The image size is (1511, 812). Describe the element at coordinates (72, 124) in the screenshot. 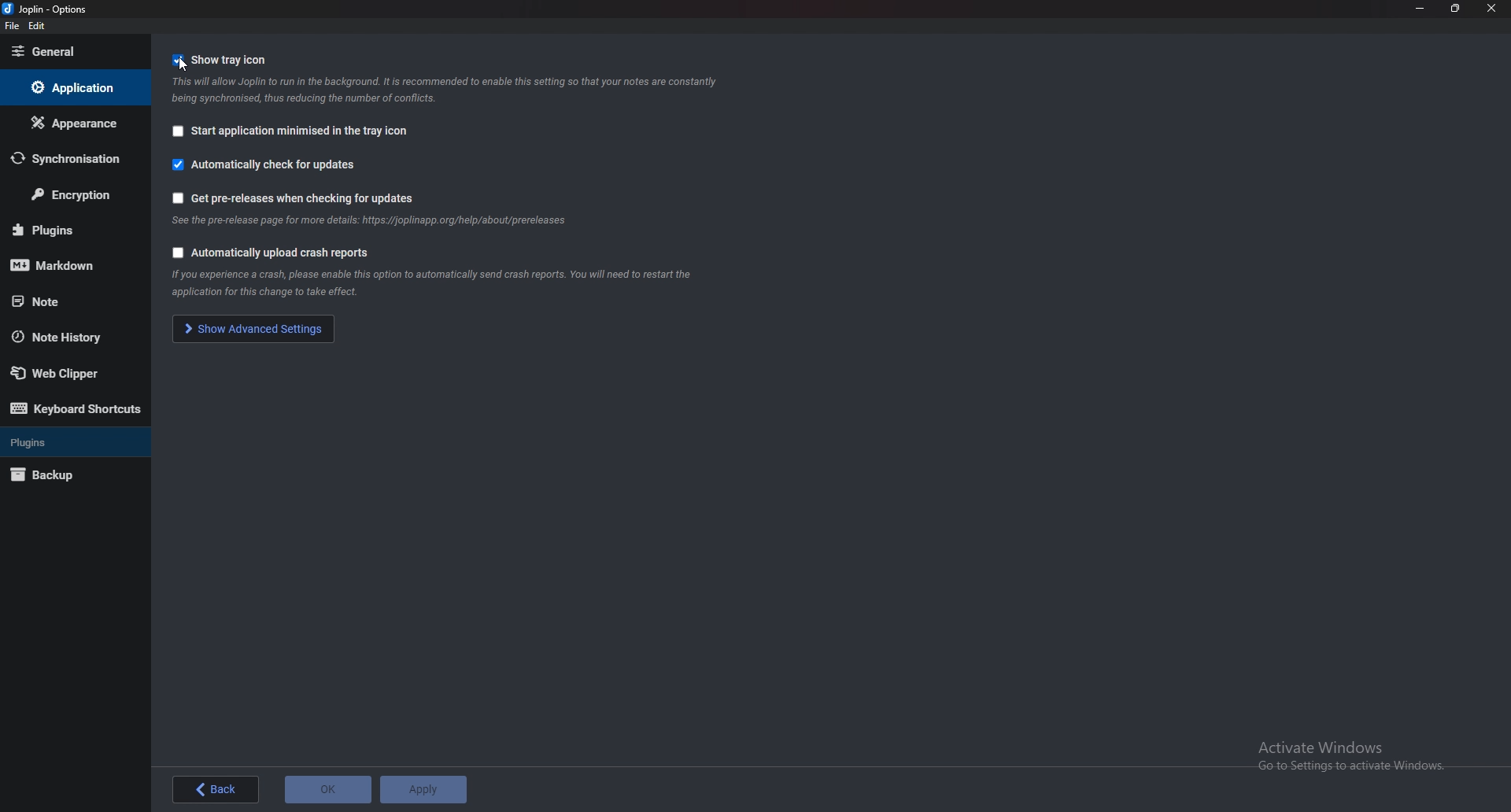

I see `Appearance` at that location.